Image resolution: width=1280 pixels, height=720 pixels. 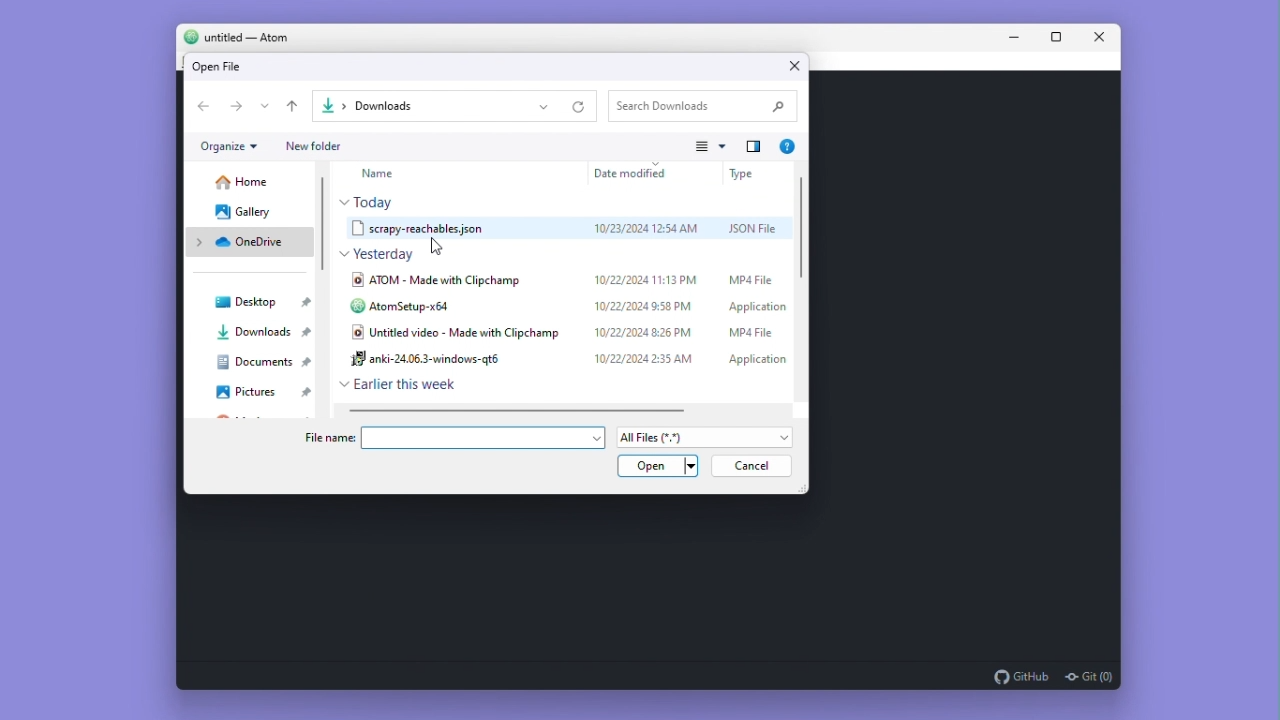 I want to click on Documents, so click(x=262, y=361).